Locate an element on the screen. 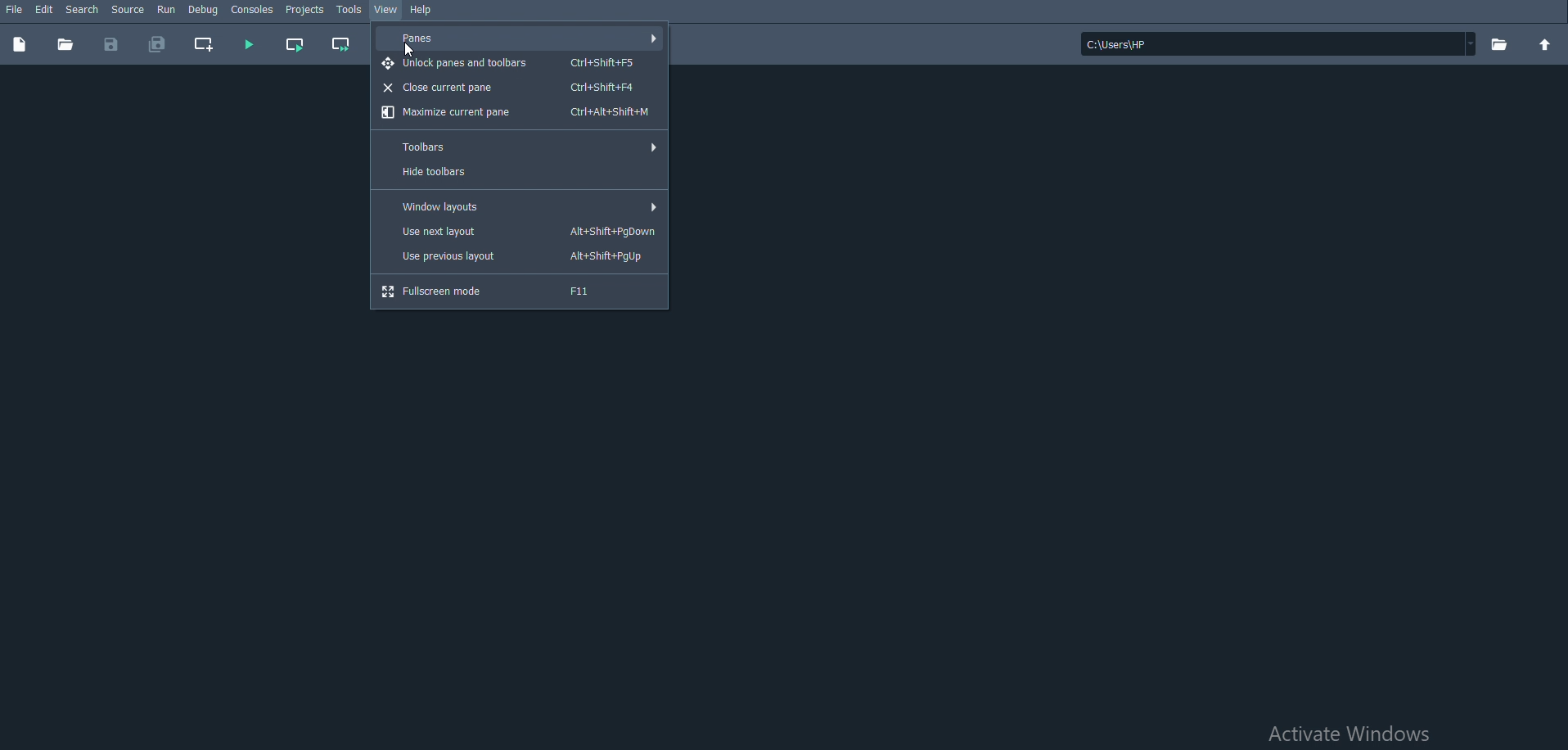 This screenshot has width=1568, height=750. Toolbars is located at coordinates (516, 147).